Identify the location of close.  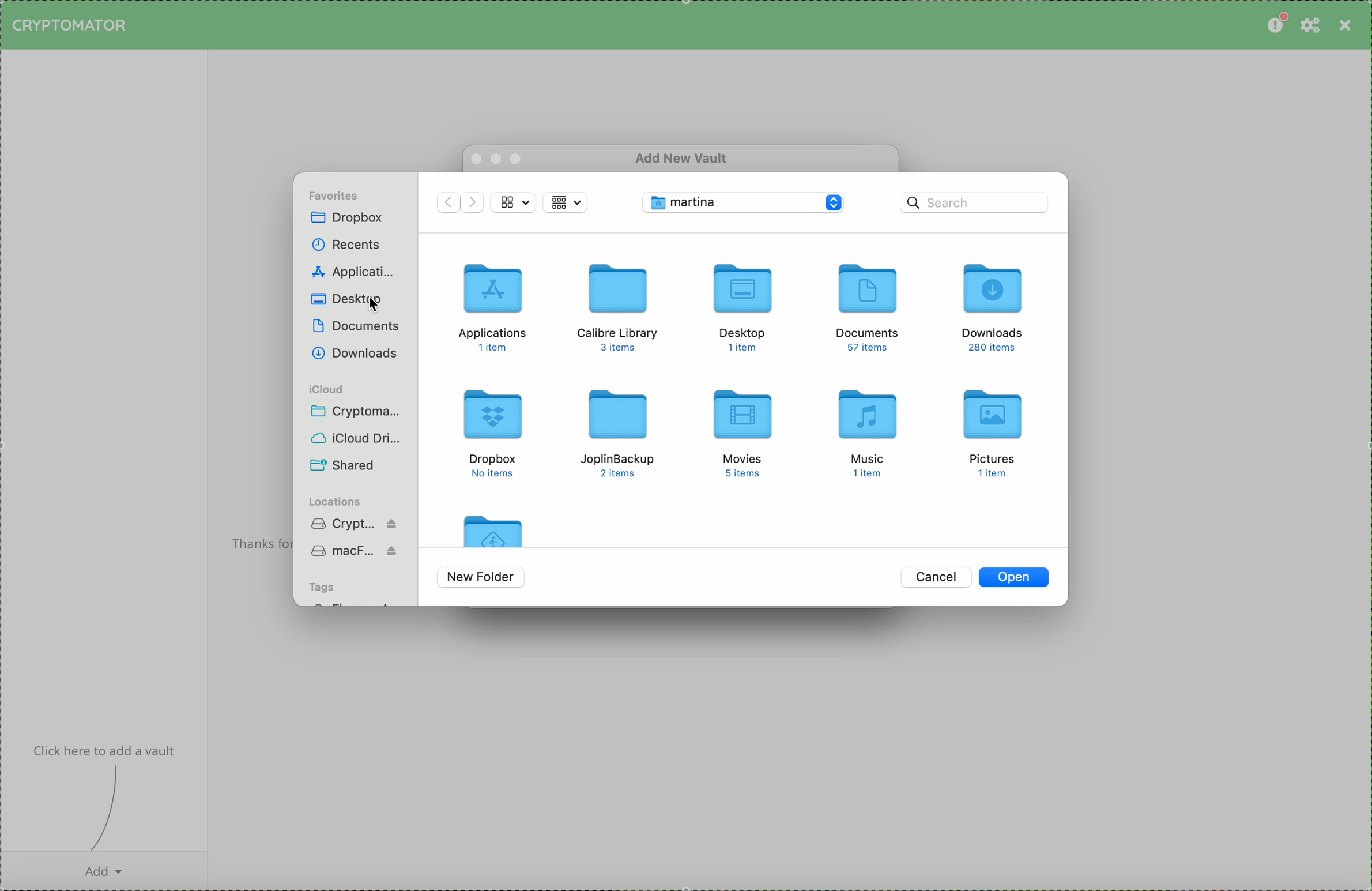
(1345, 26).